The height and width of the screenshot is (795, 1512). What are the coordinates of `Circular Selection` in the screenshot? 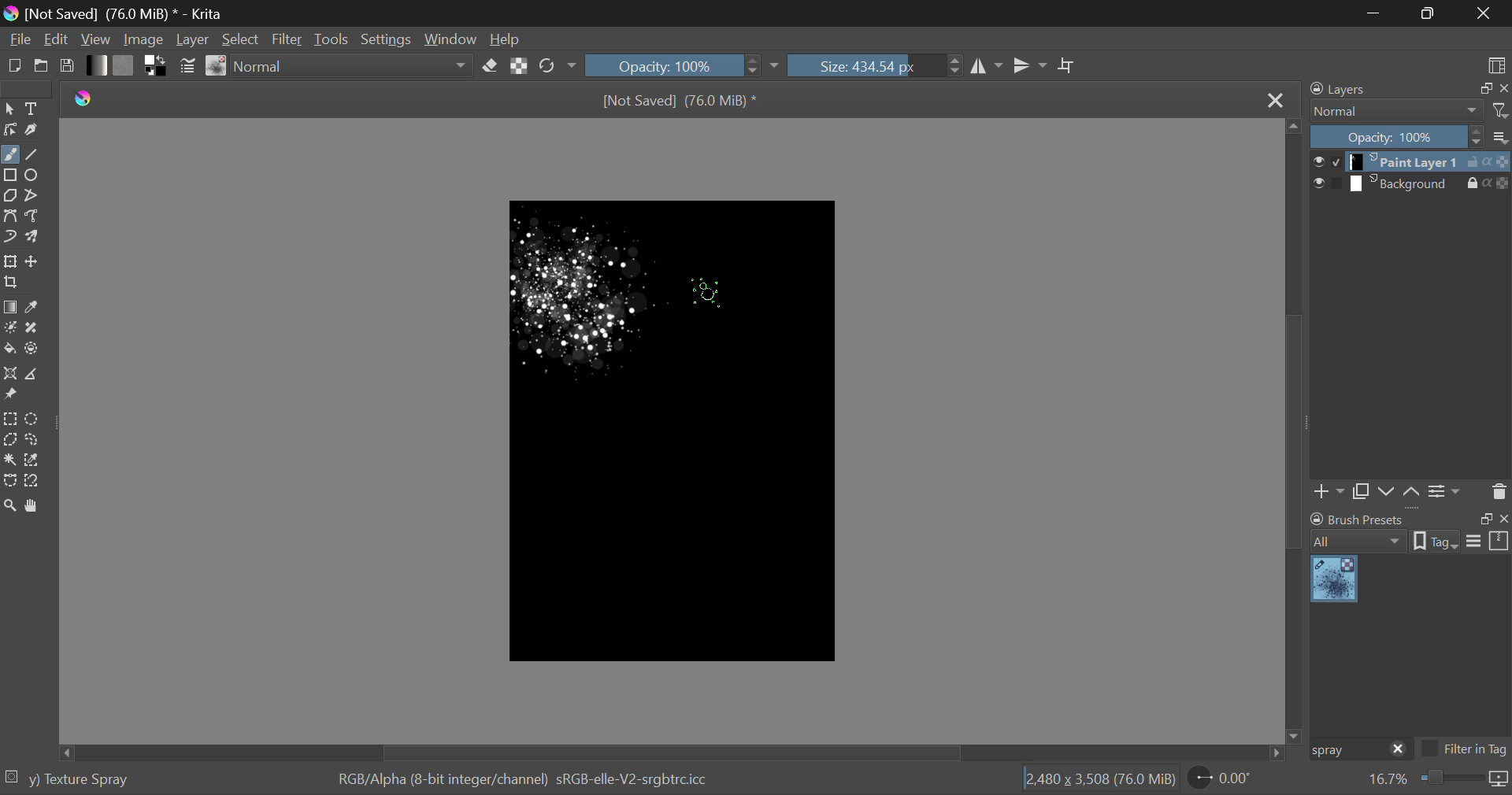 It's located at (32, 419).